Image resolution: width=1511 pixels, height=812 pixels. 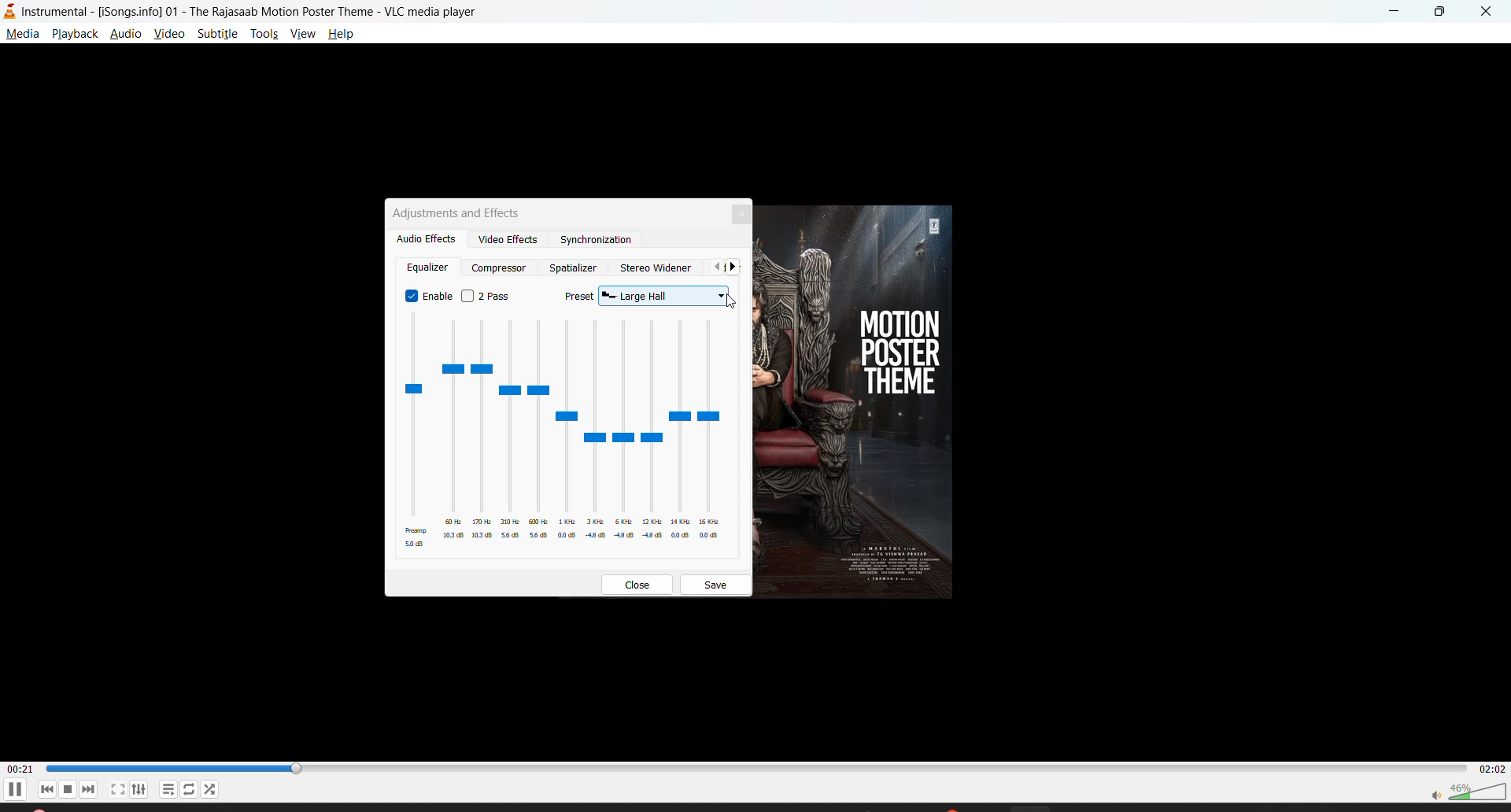 I want to click on previous, so click(x=47, y=790).